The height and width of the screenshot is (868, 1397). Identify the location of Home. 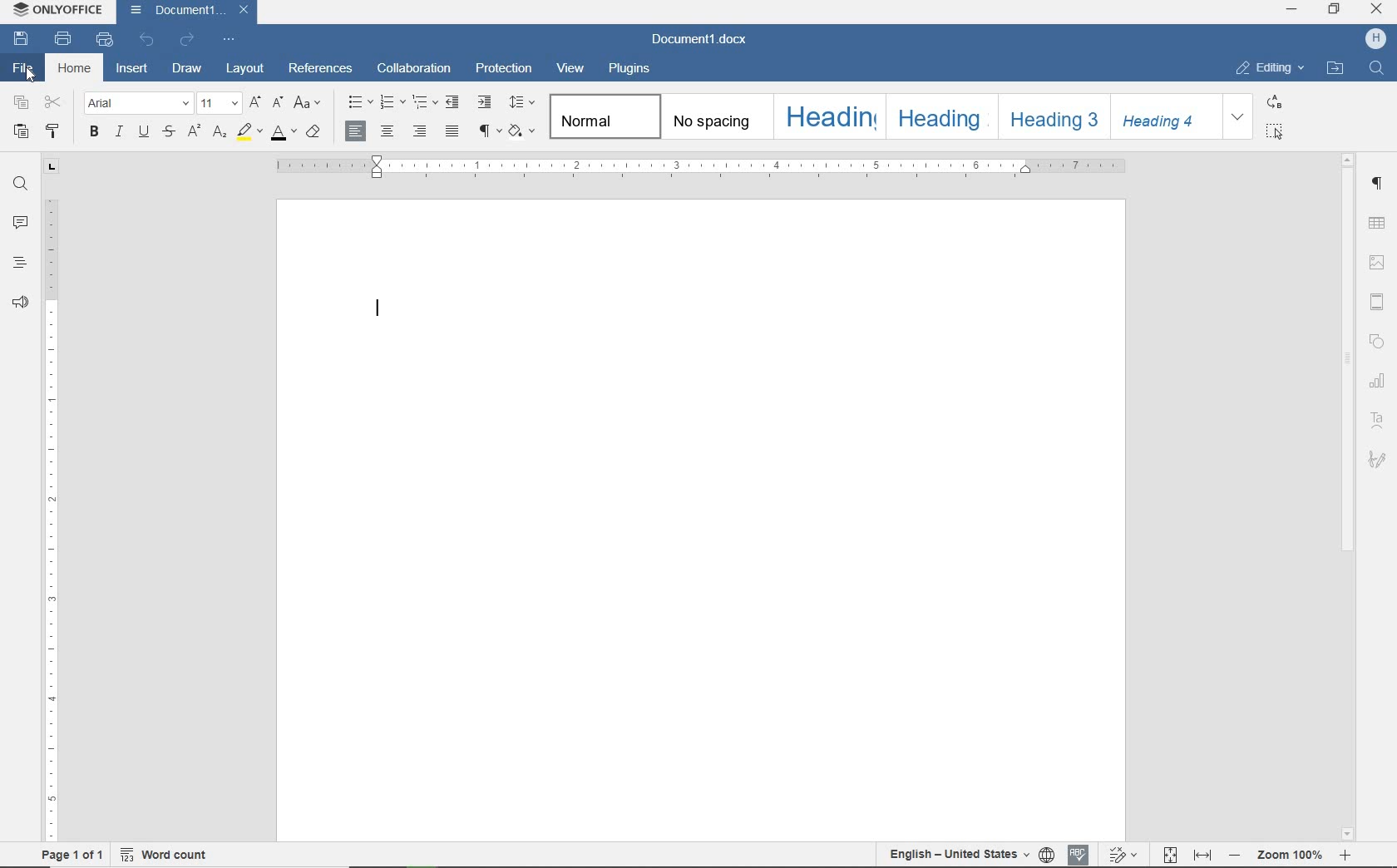
(74, 69).